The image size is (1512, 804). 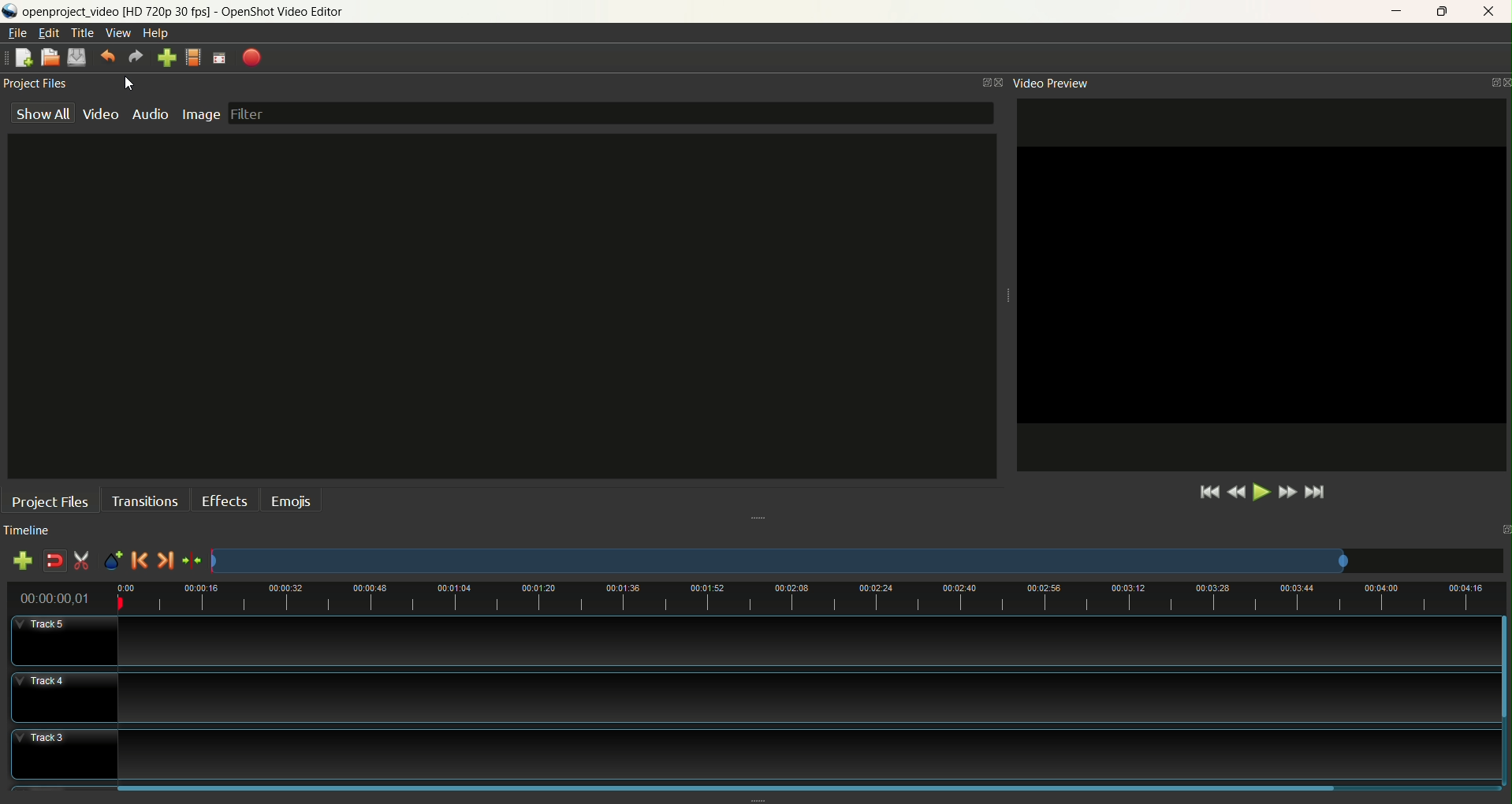 What do you see at coordinates (1289, 491) in the screenshot?
I see `fast forward` at bounding box center [1289, 491].